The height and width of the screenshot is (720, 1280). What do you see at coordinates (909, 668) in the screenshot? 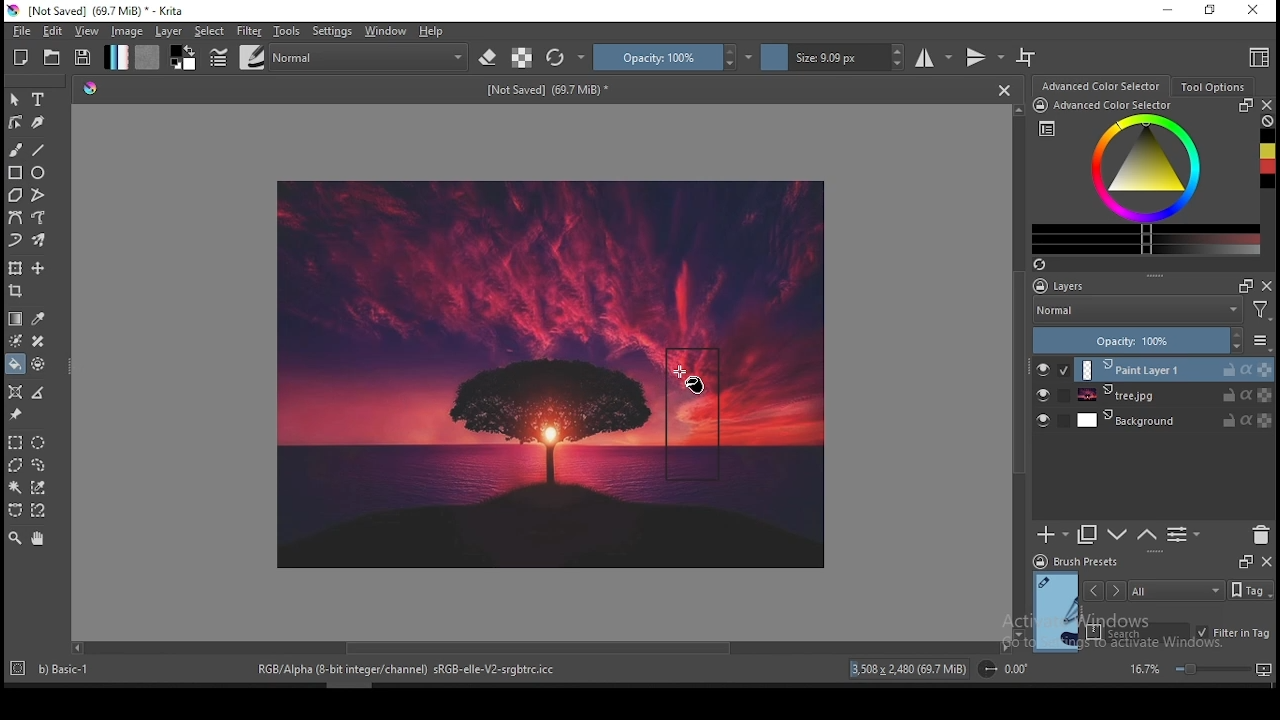
I see `13,508 x 2,480 (68.1 MiB)` at bounding box center [909, 668].